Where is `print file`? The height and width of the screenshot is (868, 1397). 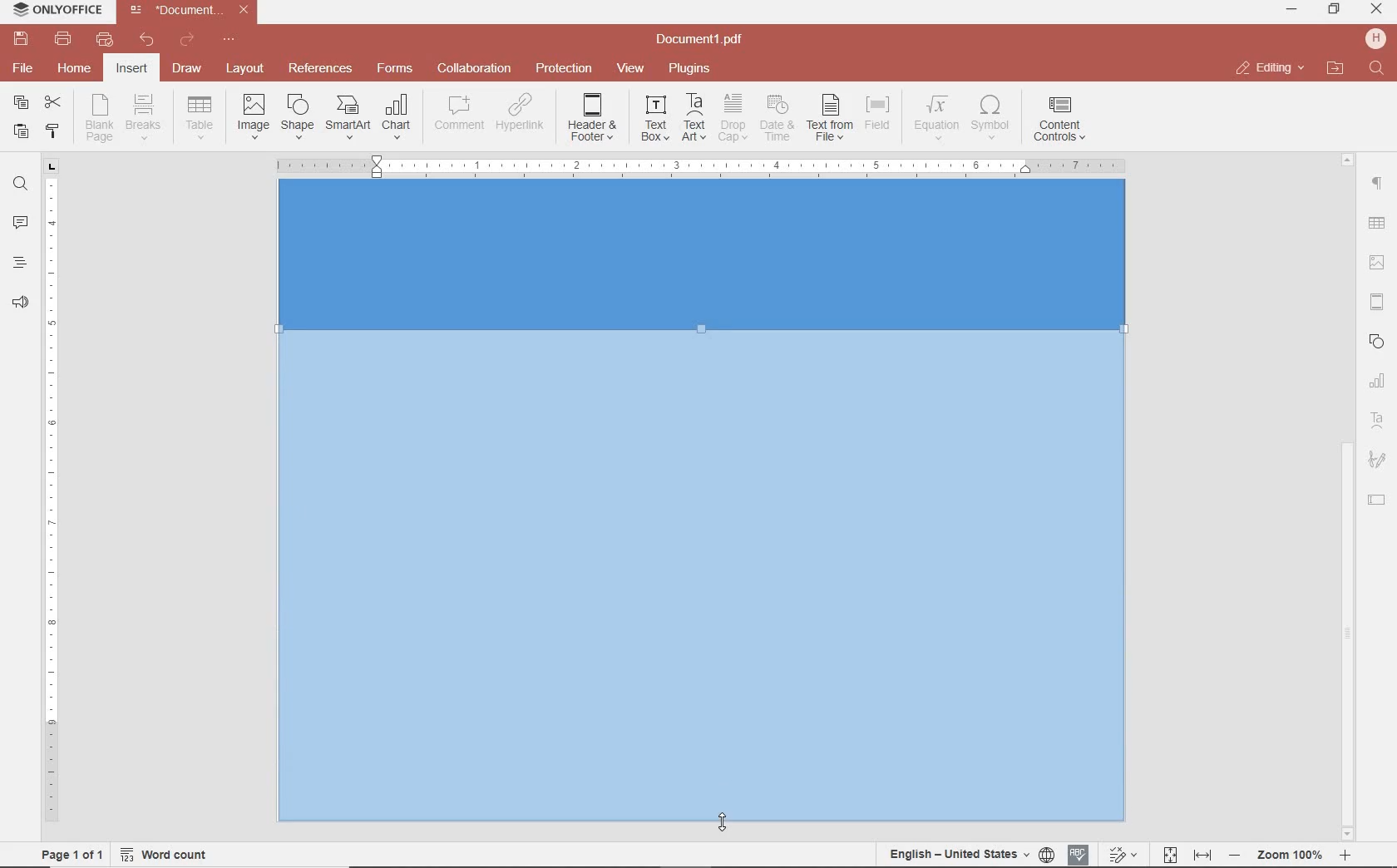
print file is located at coordinates (63, 39).